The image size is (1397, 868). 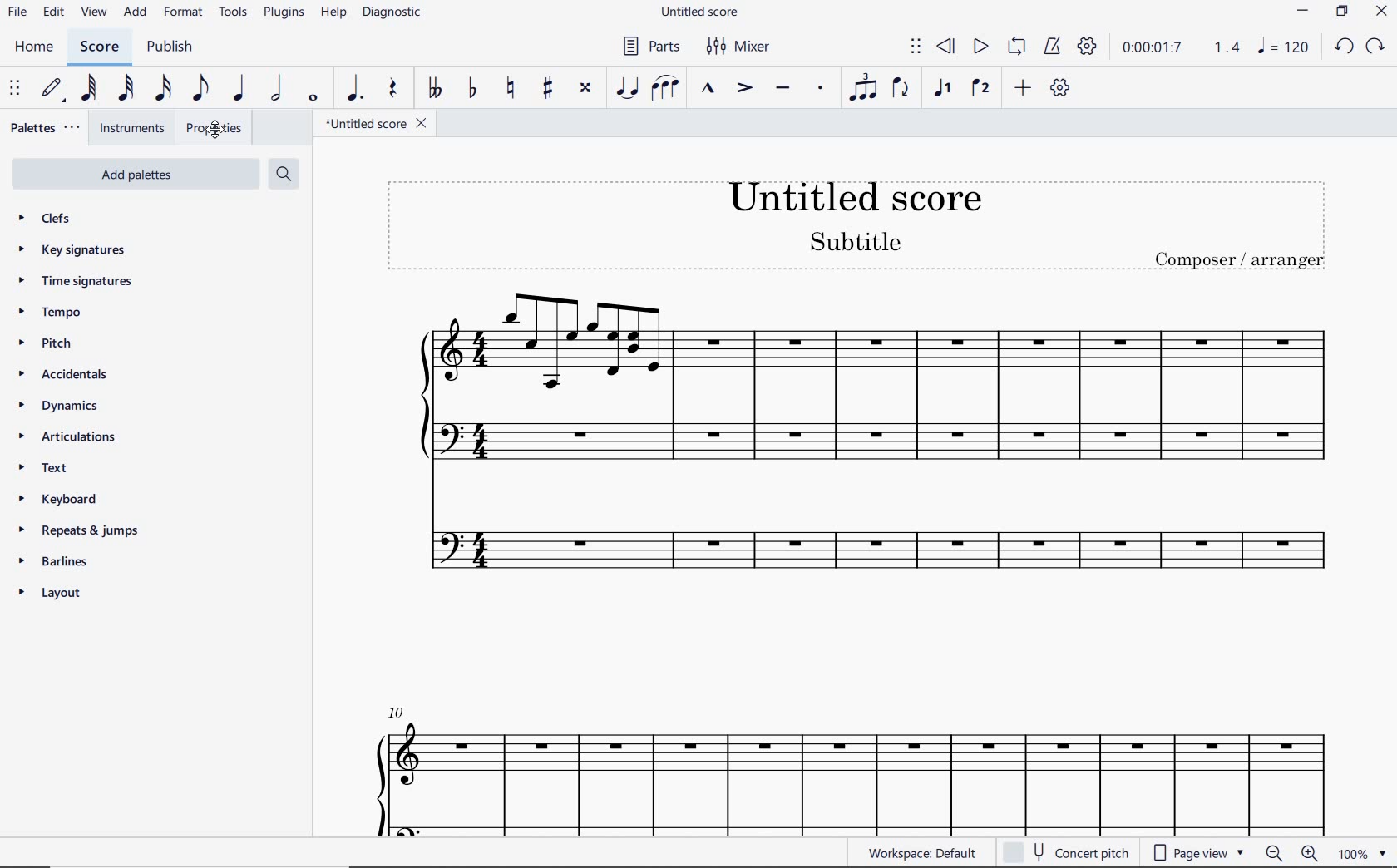 What do you see at coordinates (17, 12) in the screenshot?
I see `FILE` at bounding box center [17, 12].